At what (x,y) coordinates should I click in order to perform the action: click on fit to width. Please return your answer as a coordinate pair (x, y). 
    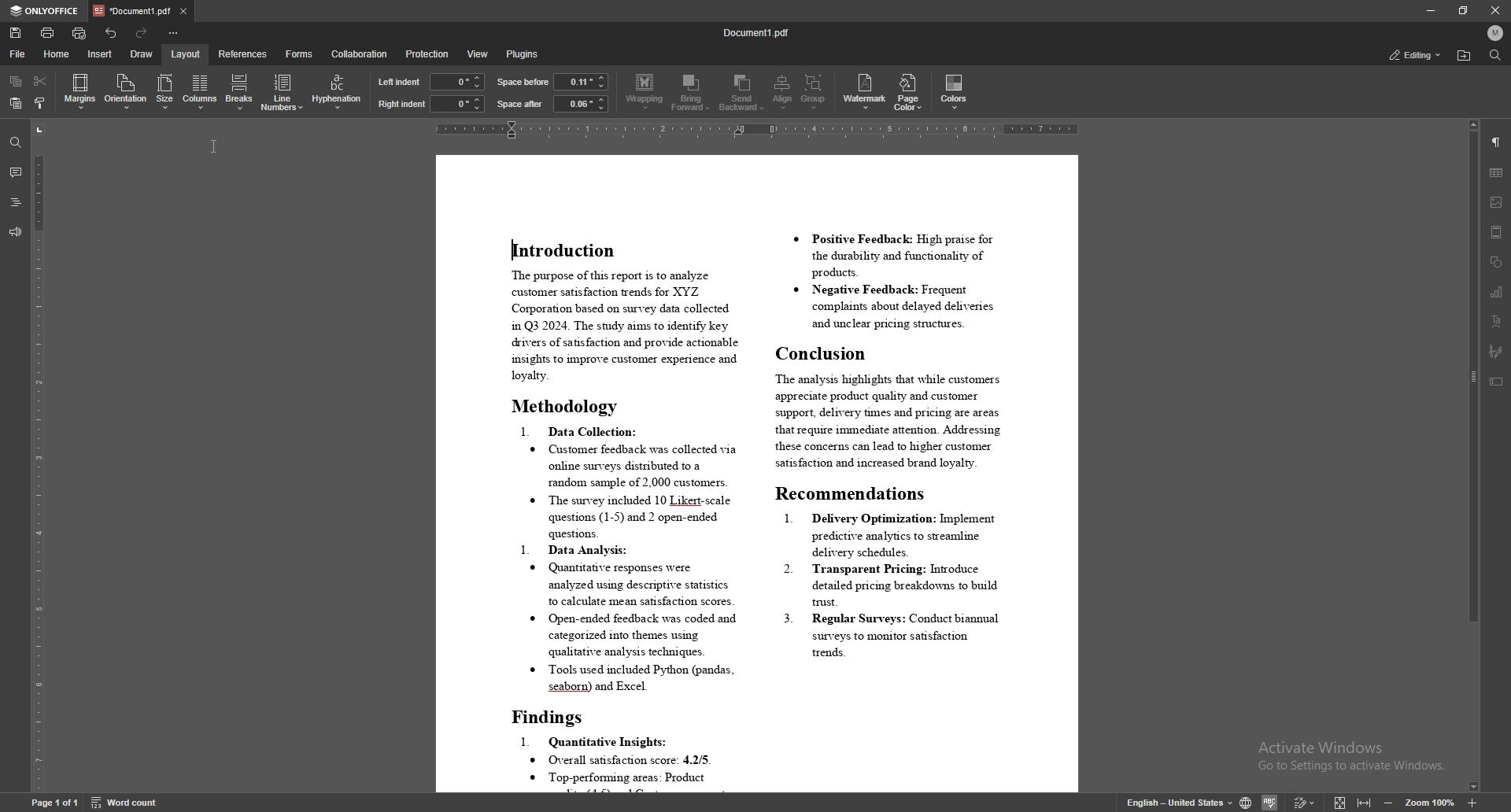
    Looking at the image, I should click on (1366, 802).